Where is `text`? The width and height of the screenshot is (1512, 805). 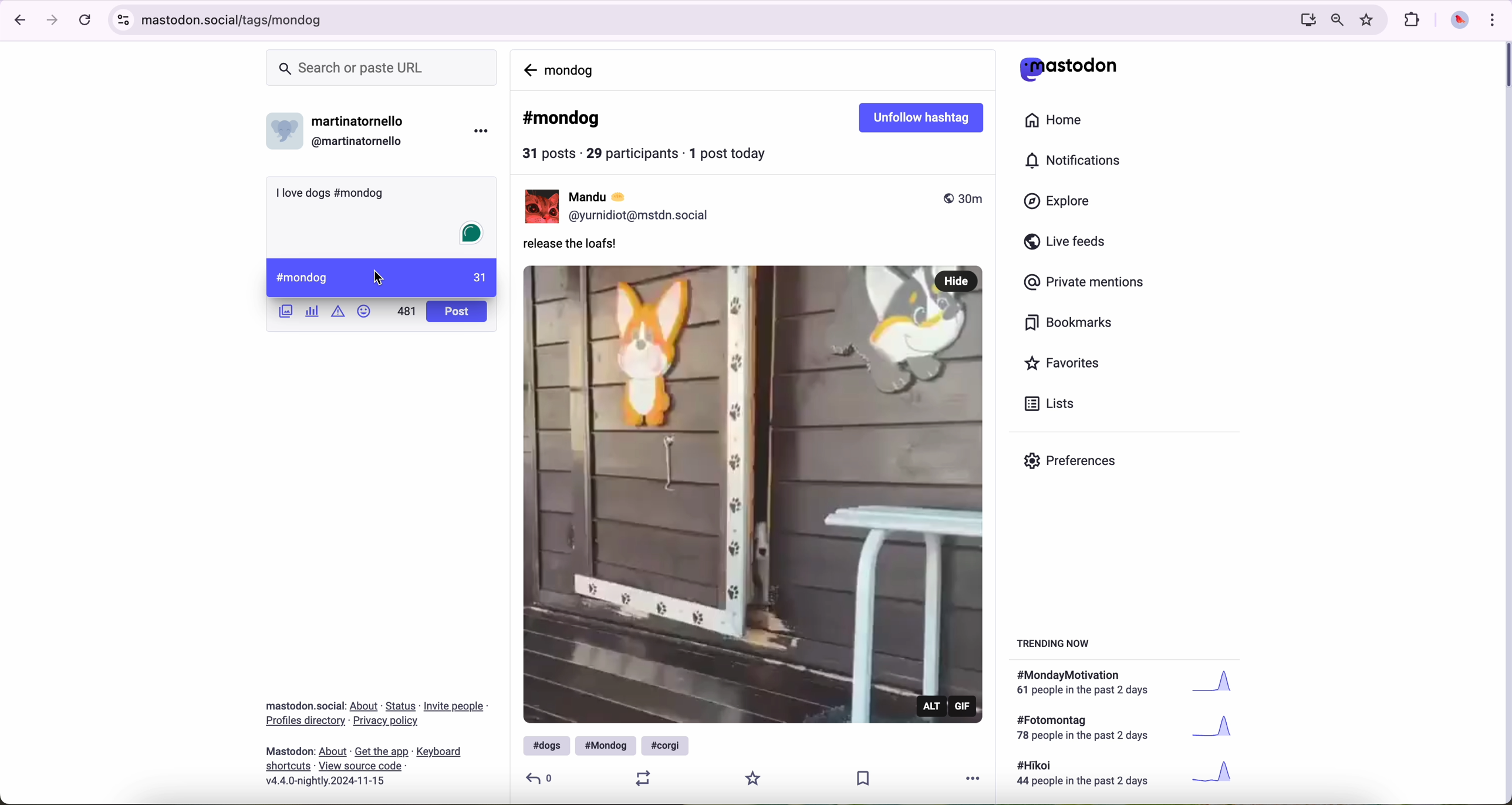 text is located at coordinates (1086, 729).